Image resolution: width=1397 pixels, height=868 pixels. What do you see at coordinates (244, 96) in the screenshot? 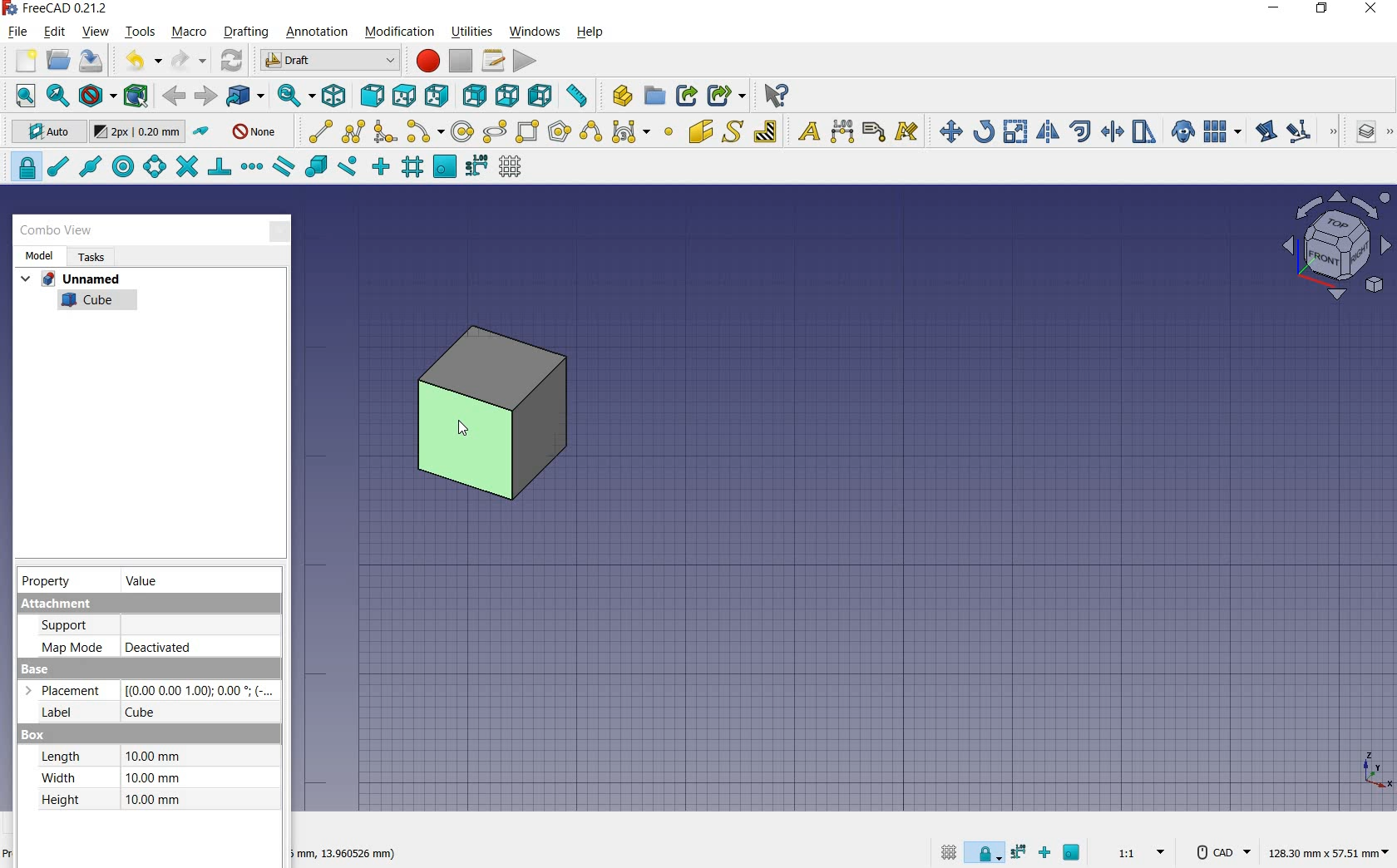
I see `go to linked objects` at bounding box center [244, 96].